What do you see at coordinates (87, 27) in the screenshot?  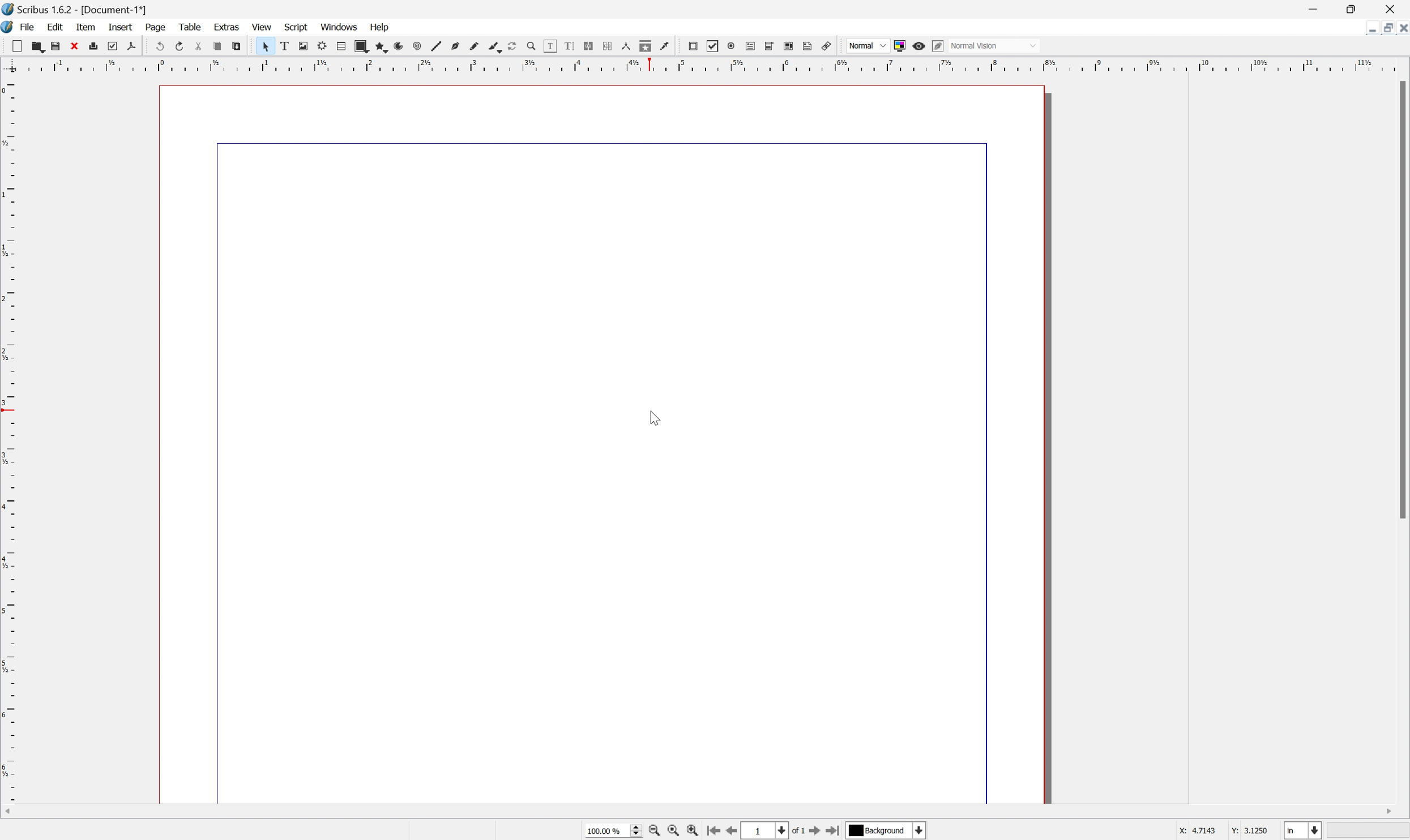 I see `item` at bounding box center [87, 27].